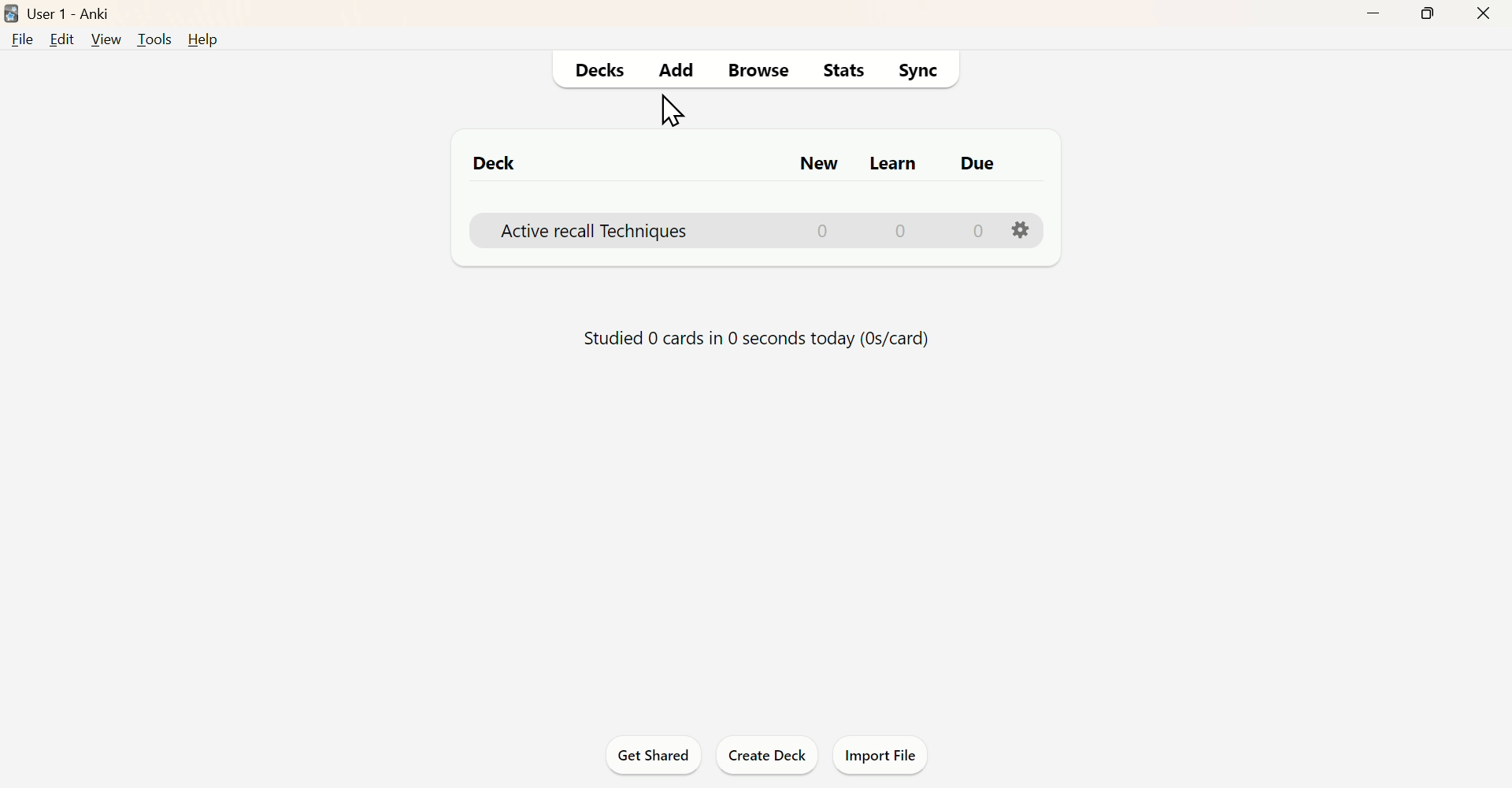  Describe the element at coordinates (676, 111) in the screenshot. I see `Cursor` at that location.